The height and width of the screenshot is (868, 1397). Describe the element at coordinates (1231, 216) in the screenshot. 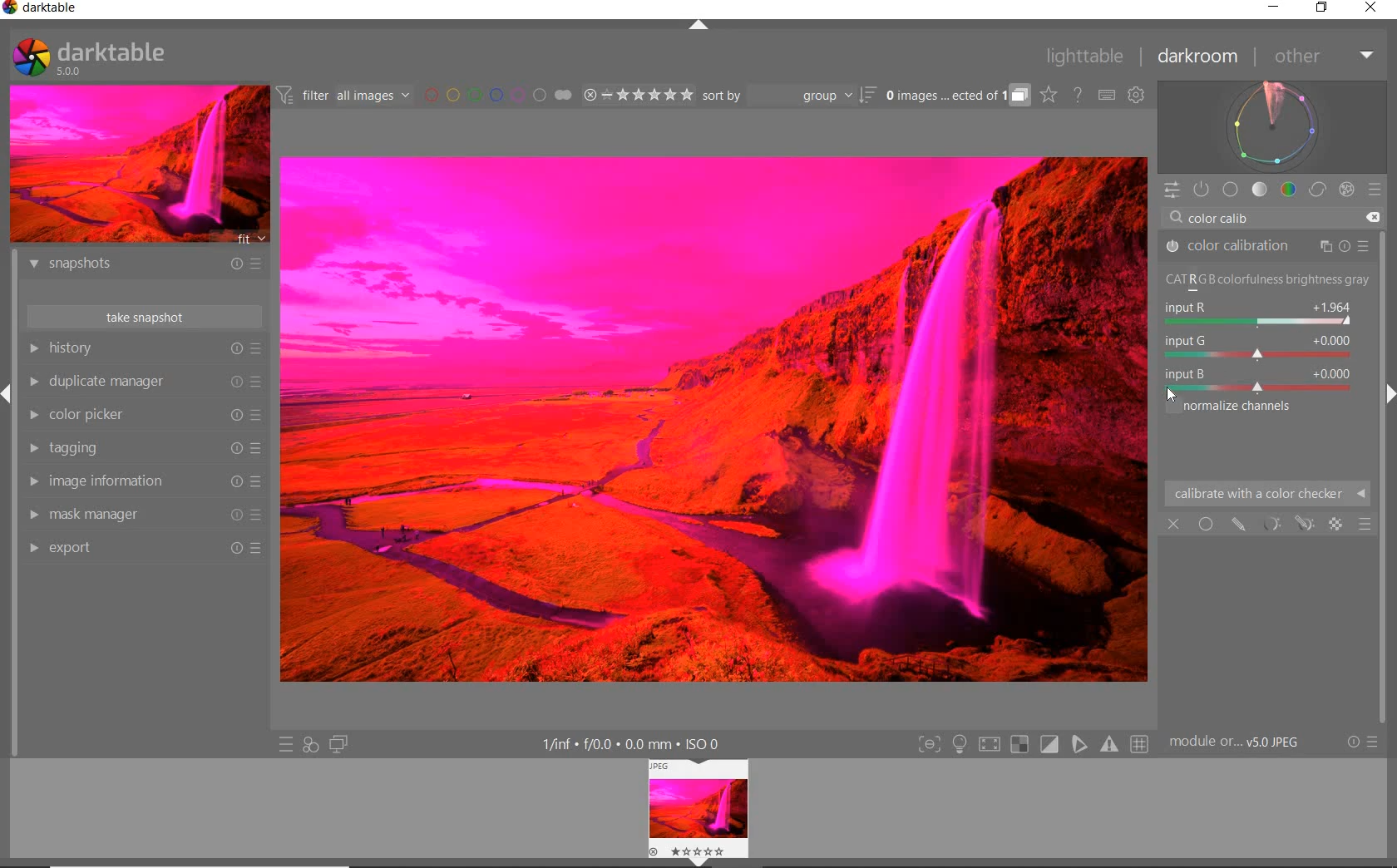

I see `INPUT VALUE` at that location.